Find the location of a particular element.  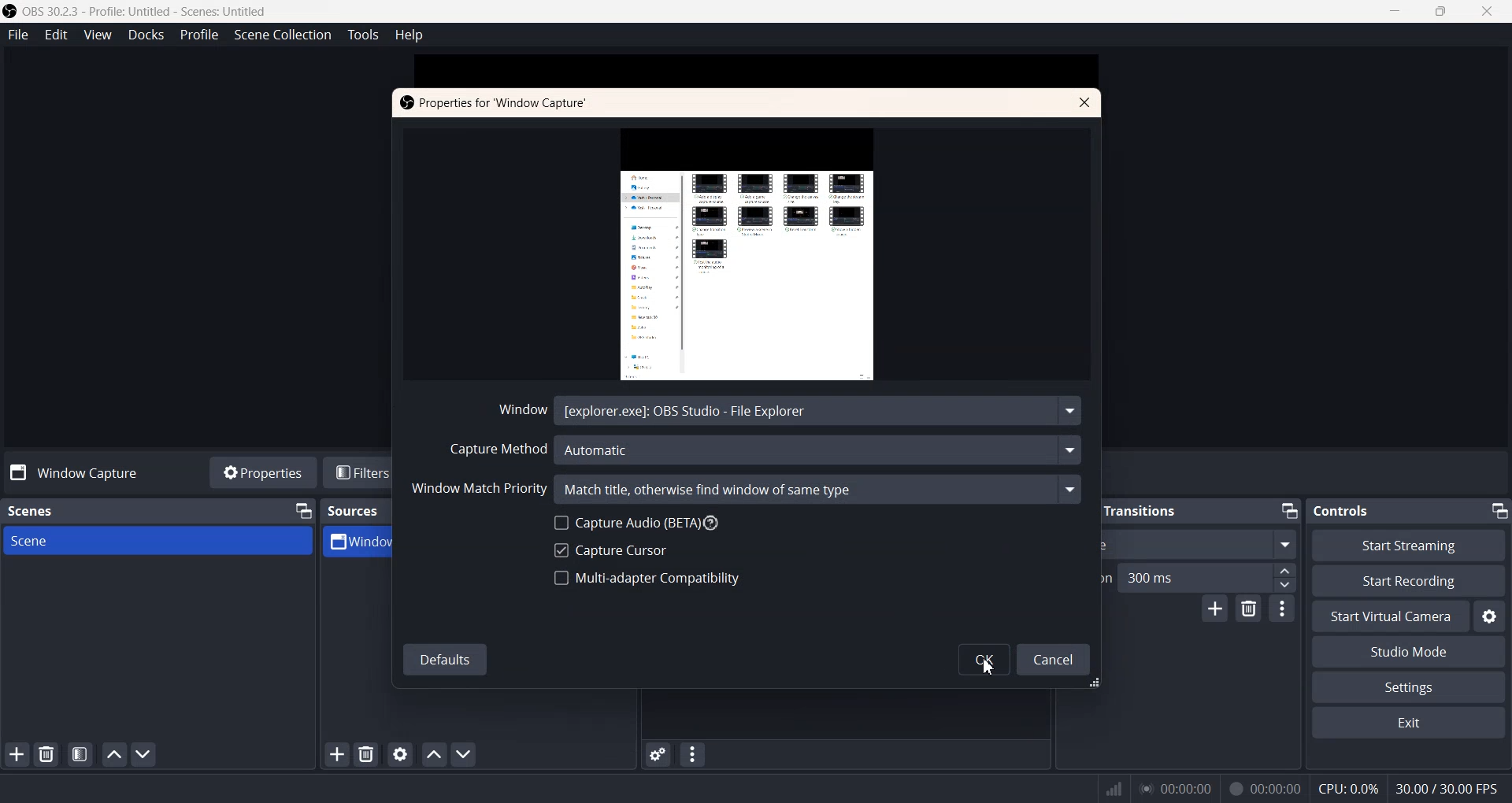

Window is located at coordinates (513, 406).